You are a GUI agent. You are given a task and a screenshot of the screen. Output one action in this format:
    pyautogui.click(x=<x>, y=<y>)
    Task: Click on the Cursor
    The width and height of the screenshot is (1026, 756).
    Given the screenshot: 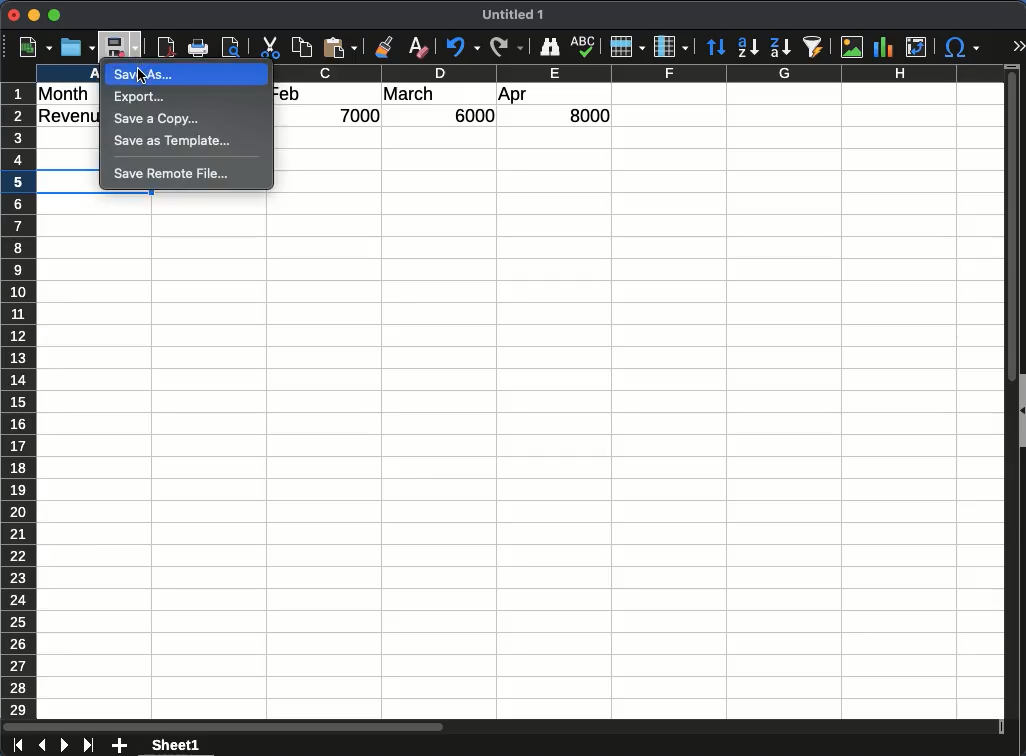 What is the action you would take?
    pyautogui.click(x=143, y=73)
    